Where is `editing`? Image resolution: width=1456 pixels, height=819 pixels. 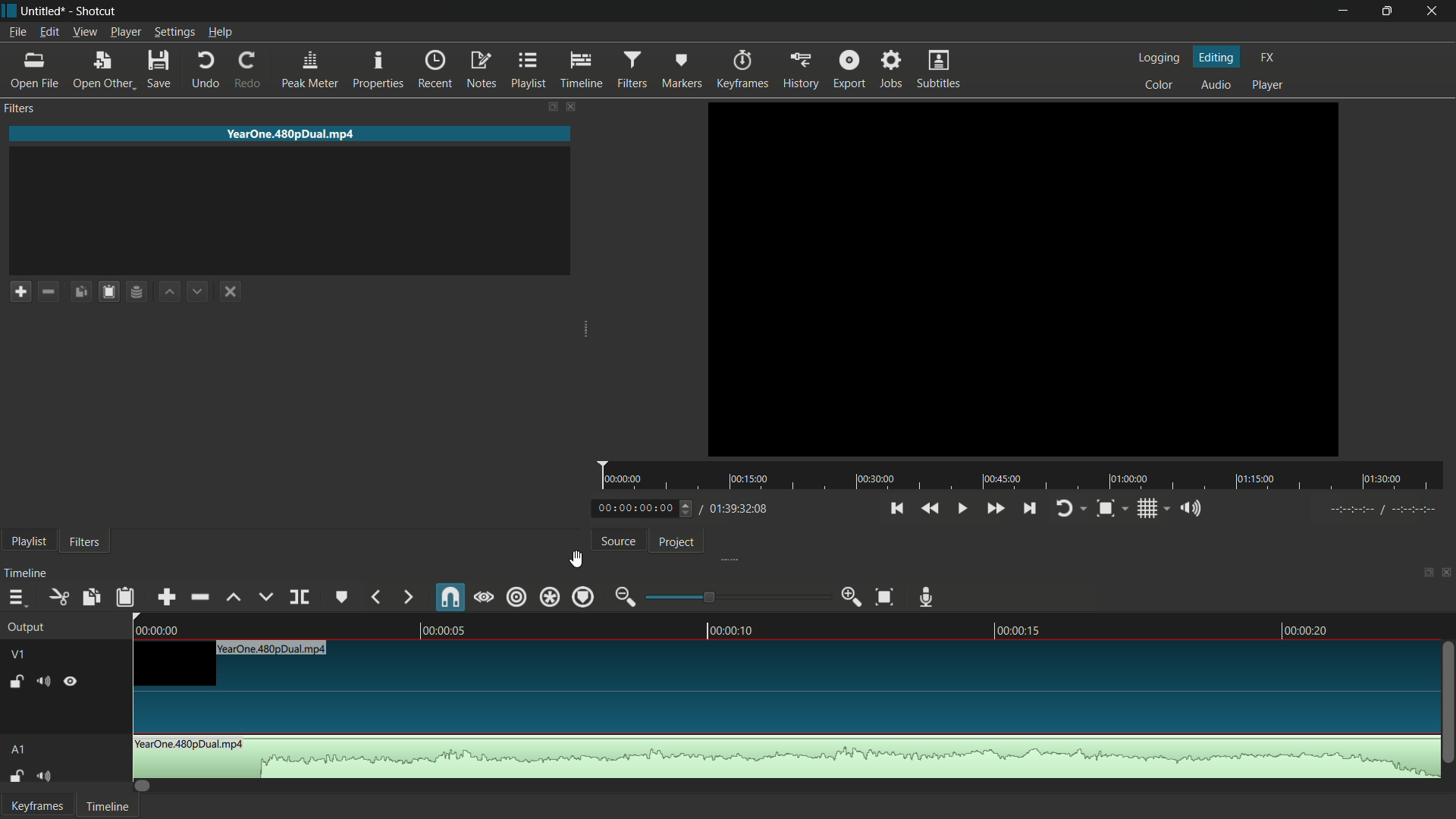 editing is located at coordinates (1216, 55).